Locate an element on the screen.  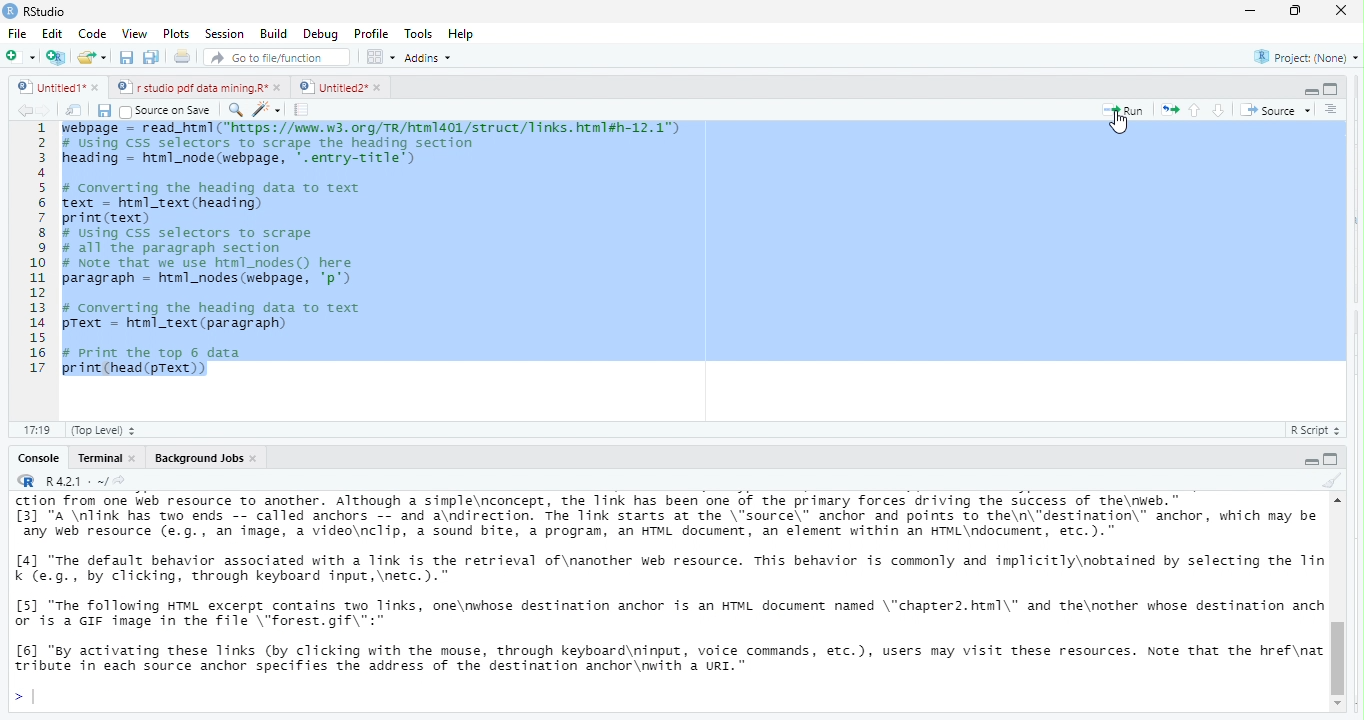
‘Session is located at coordinates (223, 34).